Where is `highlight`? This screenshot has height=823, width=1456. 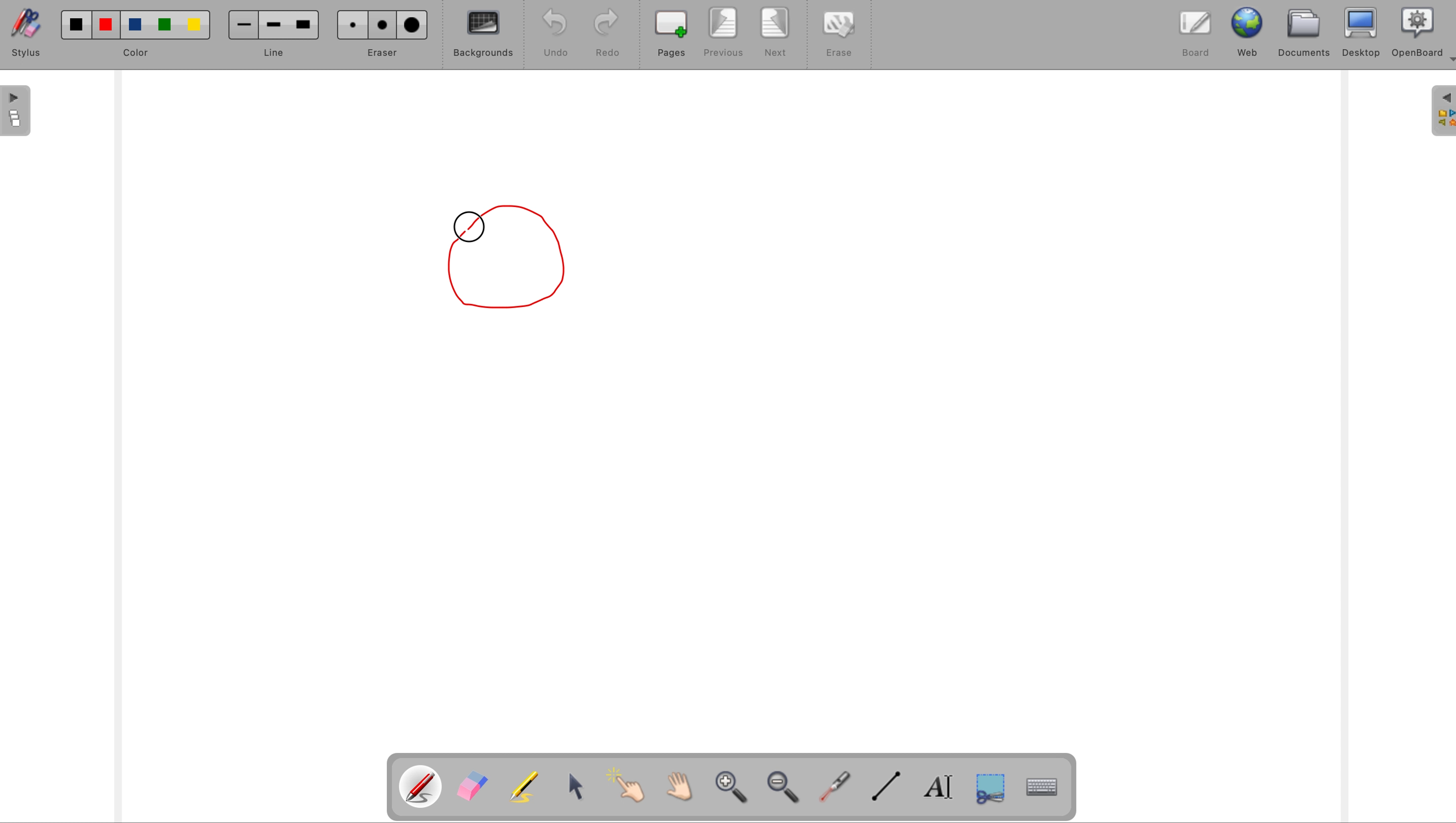
highlight is located at coordinates (526, 785).